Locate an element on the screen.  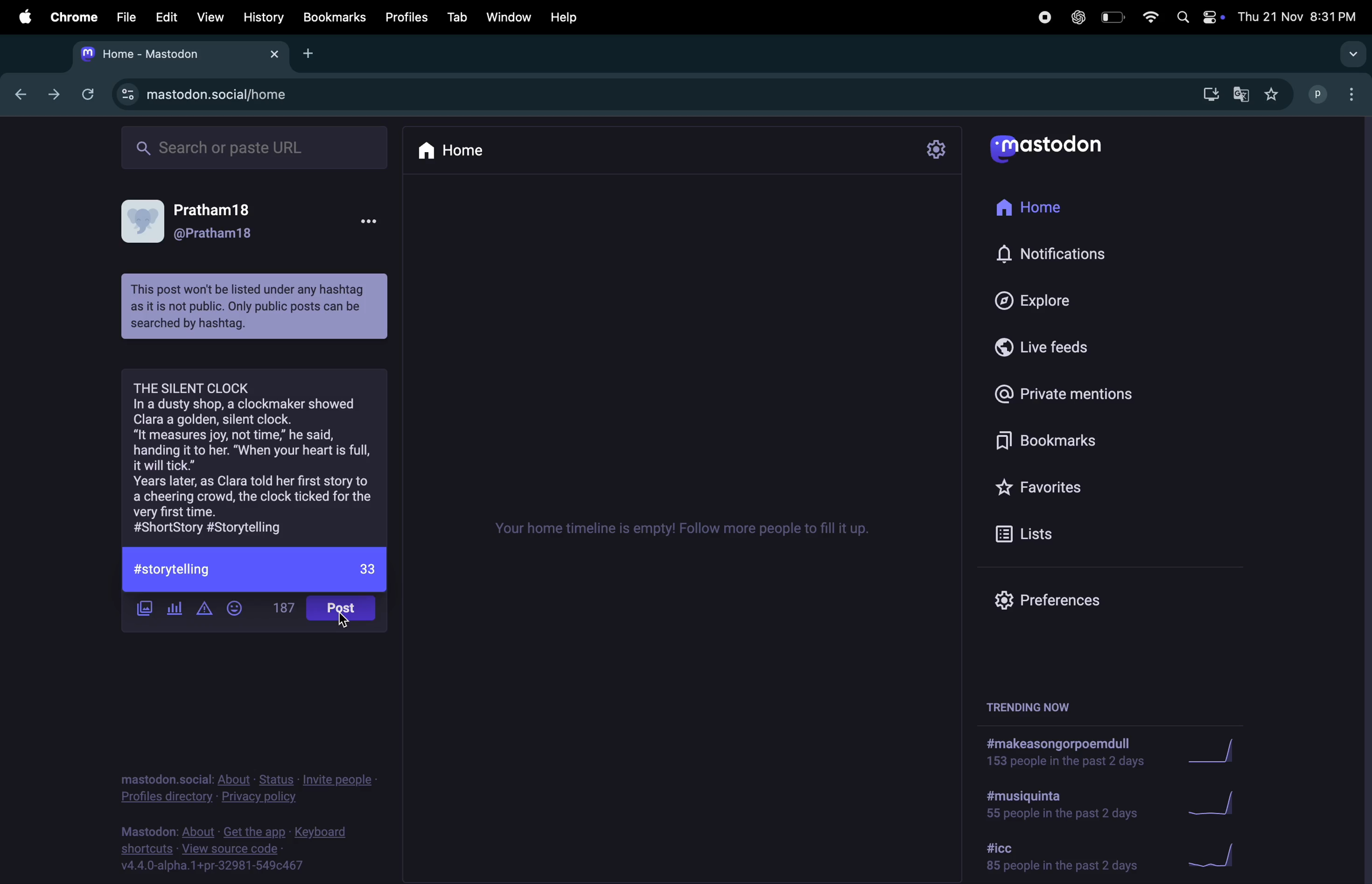
time line is located at coordinates (687, 529).